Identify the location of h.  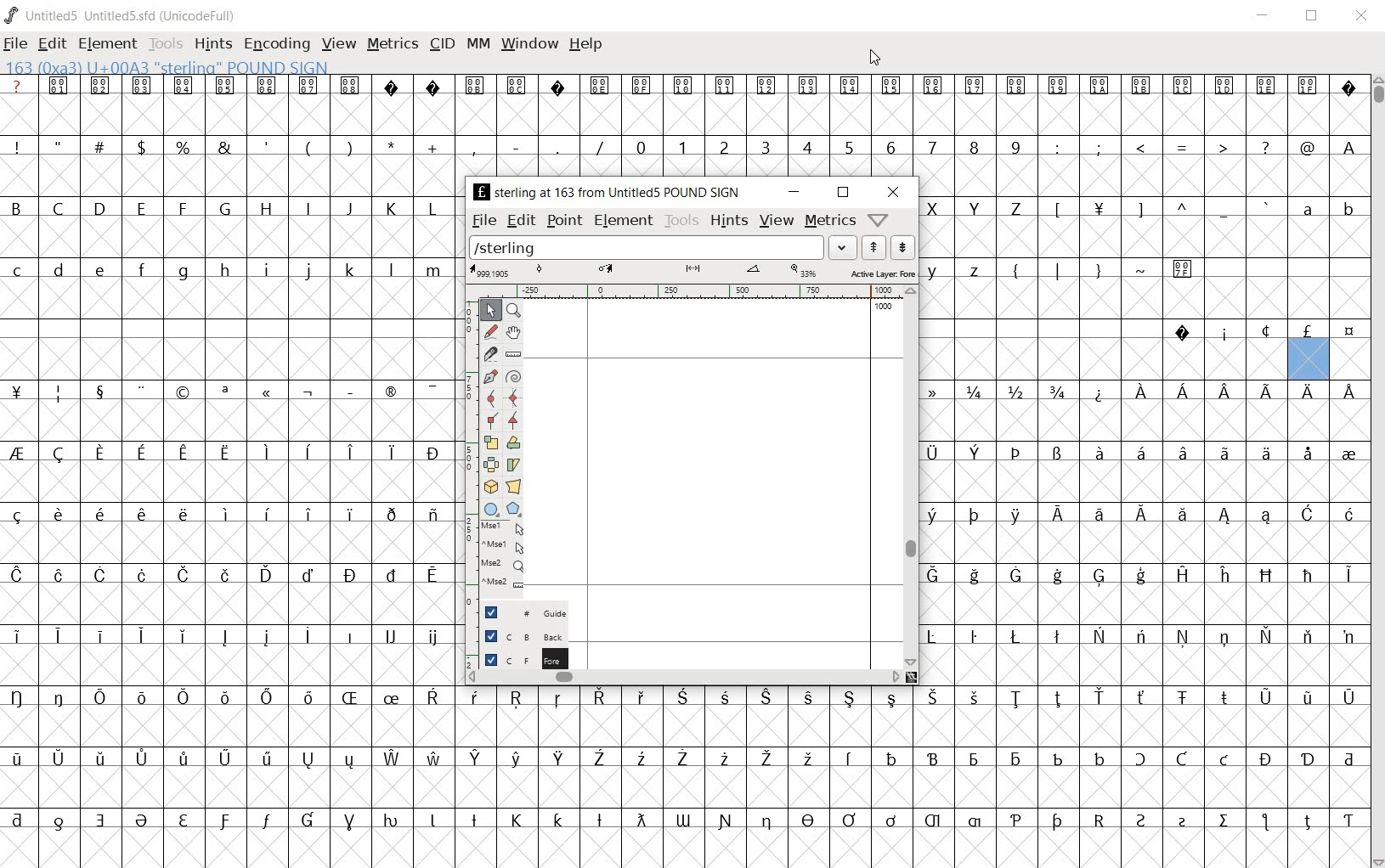
(226, 270).